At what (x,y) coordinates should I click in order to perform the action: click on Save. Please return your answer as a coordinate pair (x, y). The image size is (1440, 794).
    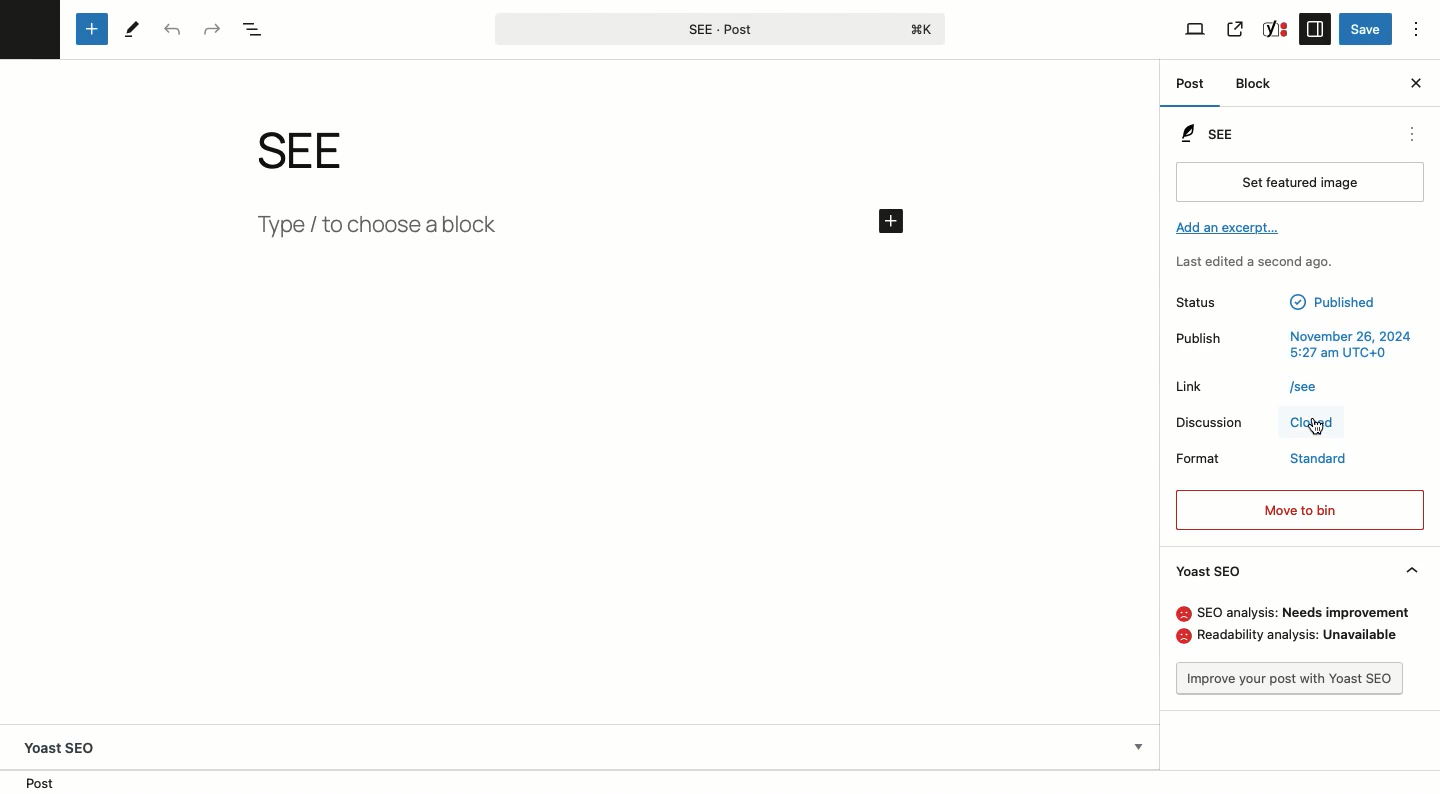
    Looking at the image, I should click on (1367, 30).